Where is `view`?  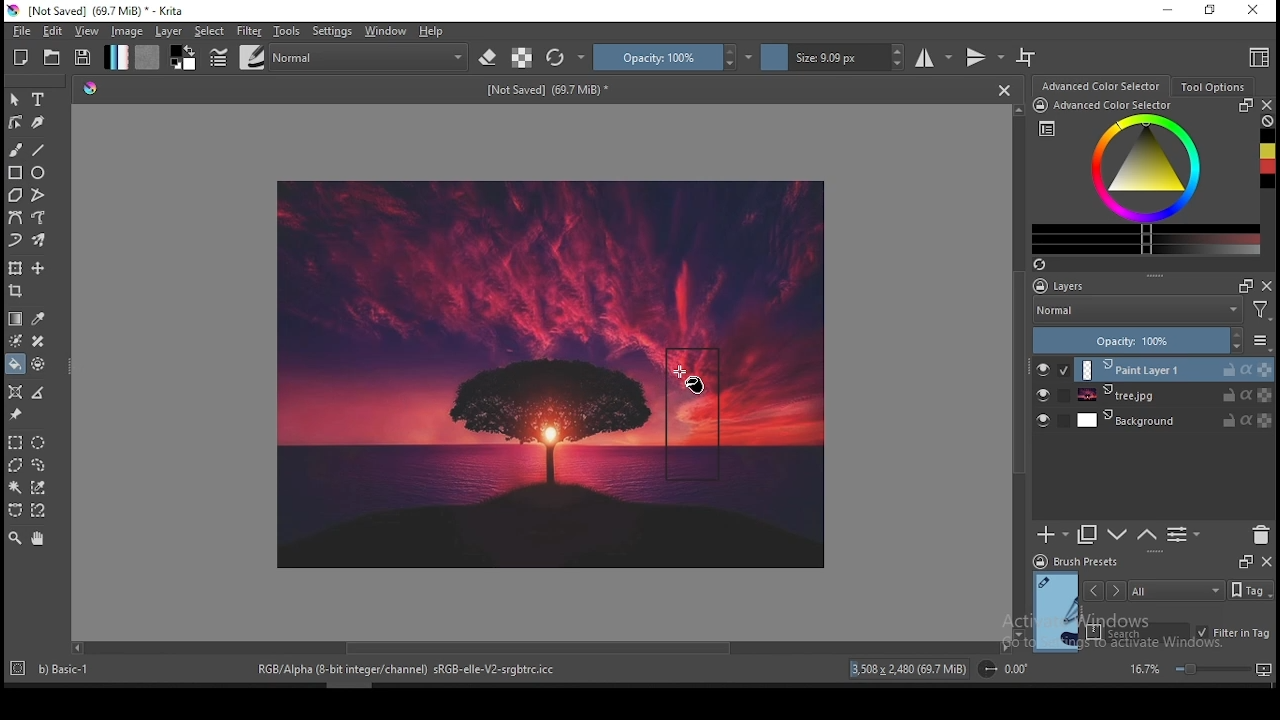
view is located at coordinates (89, 32).